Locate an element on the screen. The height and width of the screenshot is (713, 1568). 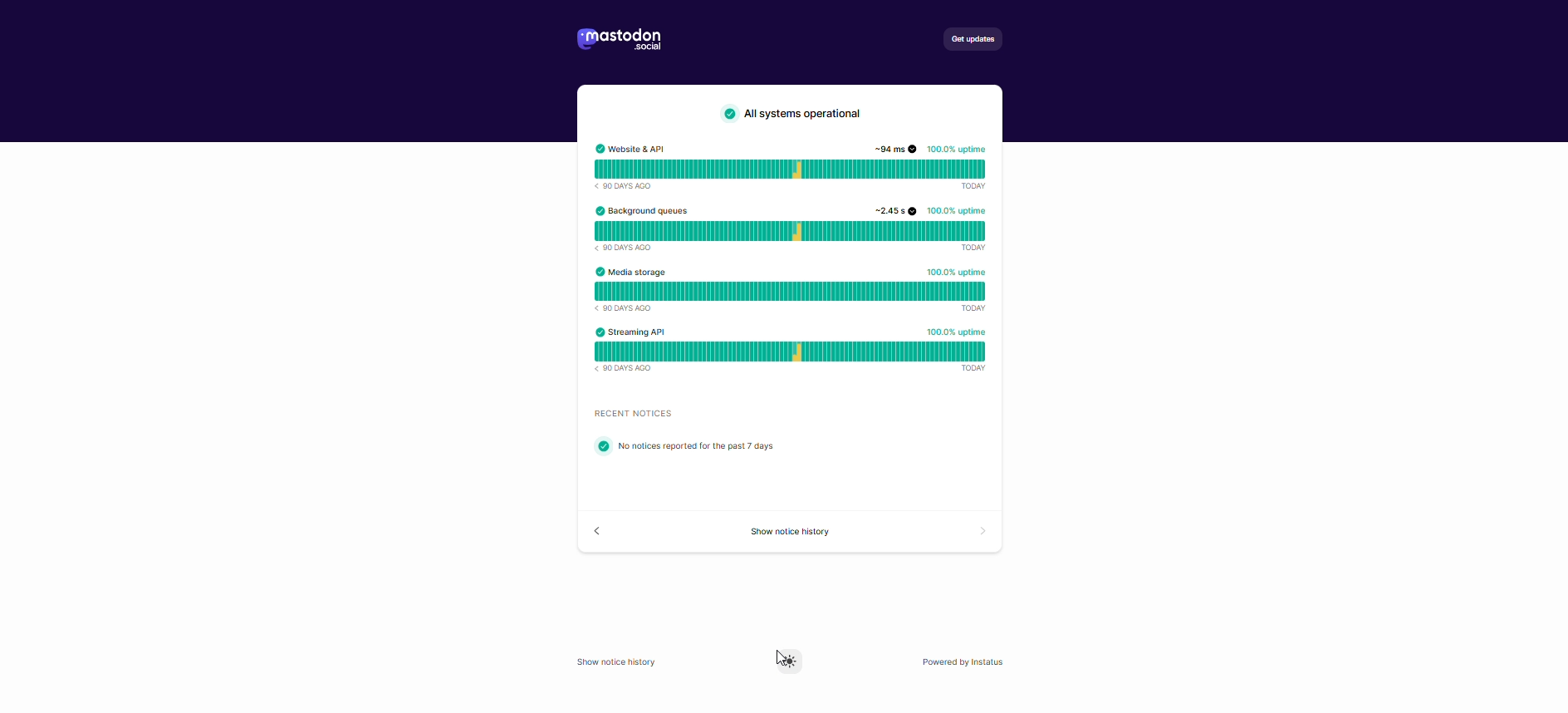
streaming and api is located at coordinates (807, 355).